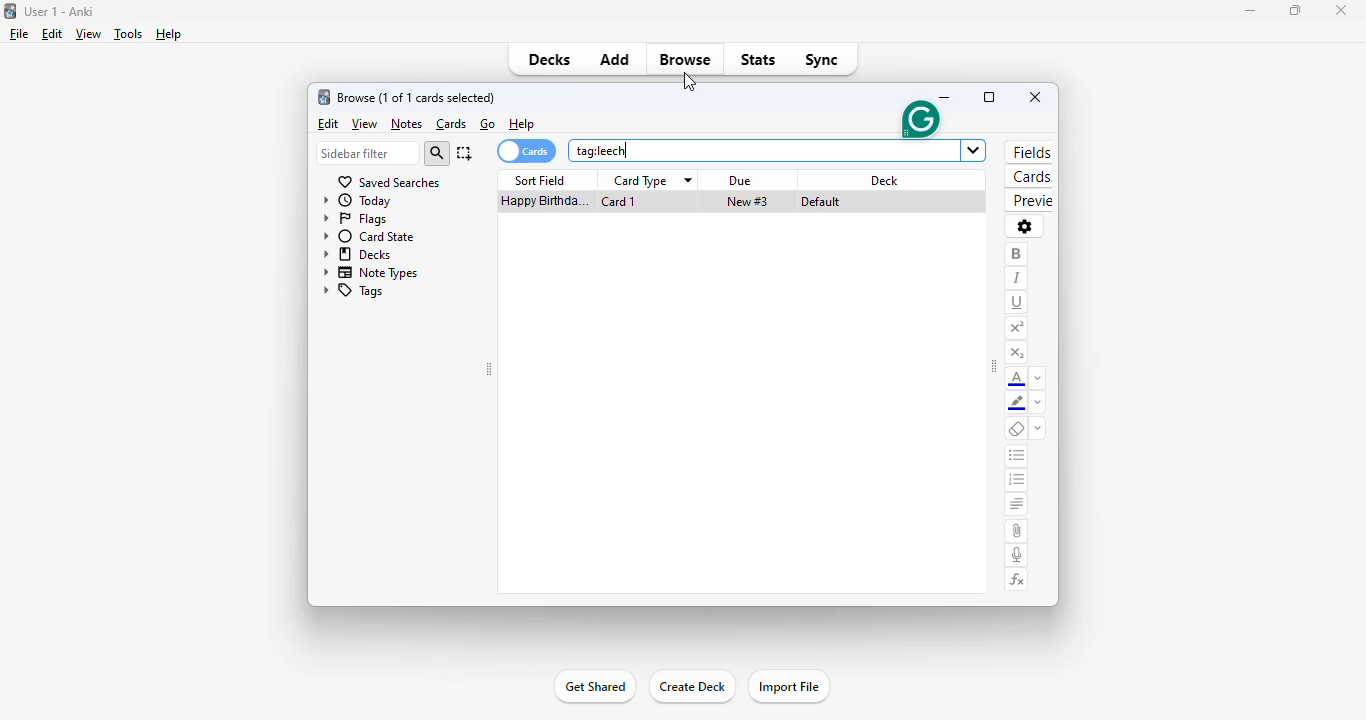  Describe the element at coordinates (548, 59) in the screenshot. I see `decks` at that location.